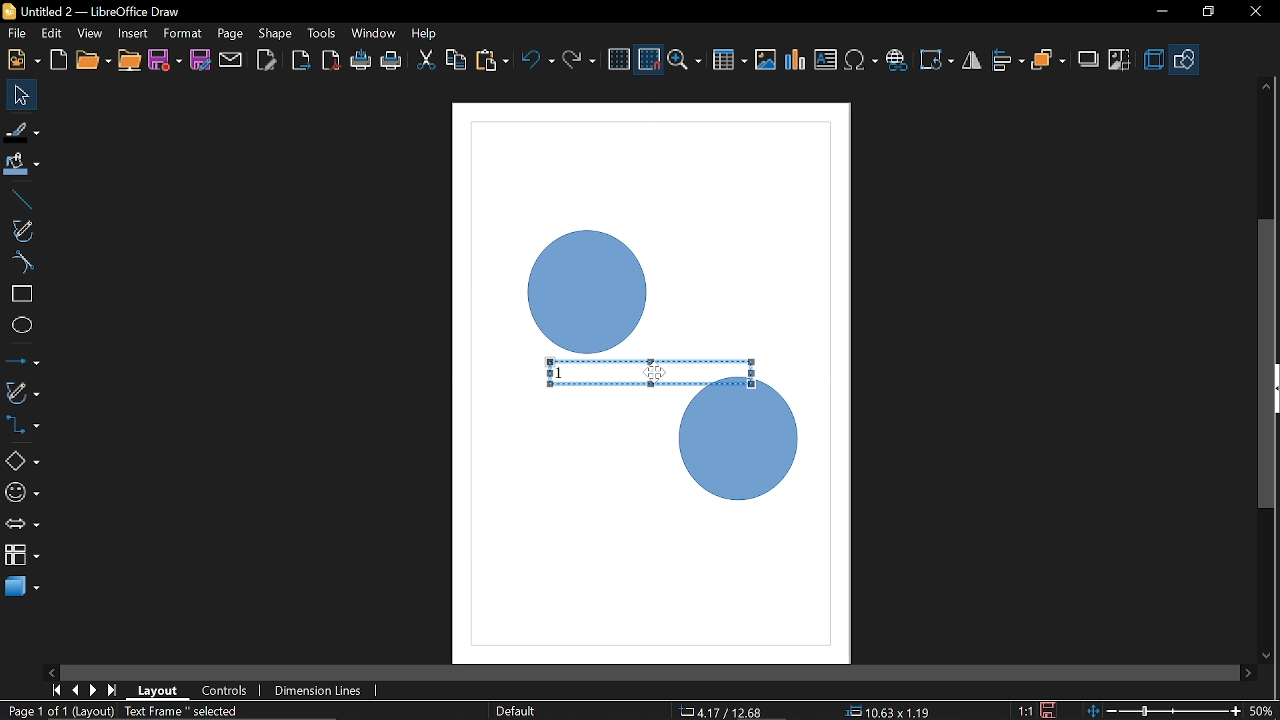 This screenshot has width=1280, height=720. Describe the element at coordinates (579, 60) in the screenshot. I see `redo` at that location.